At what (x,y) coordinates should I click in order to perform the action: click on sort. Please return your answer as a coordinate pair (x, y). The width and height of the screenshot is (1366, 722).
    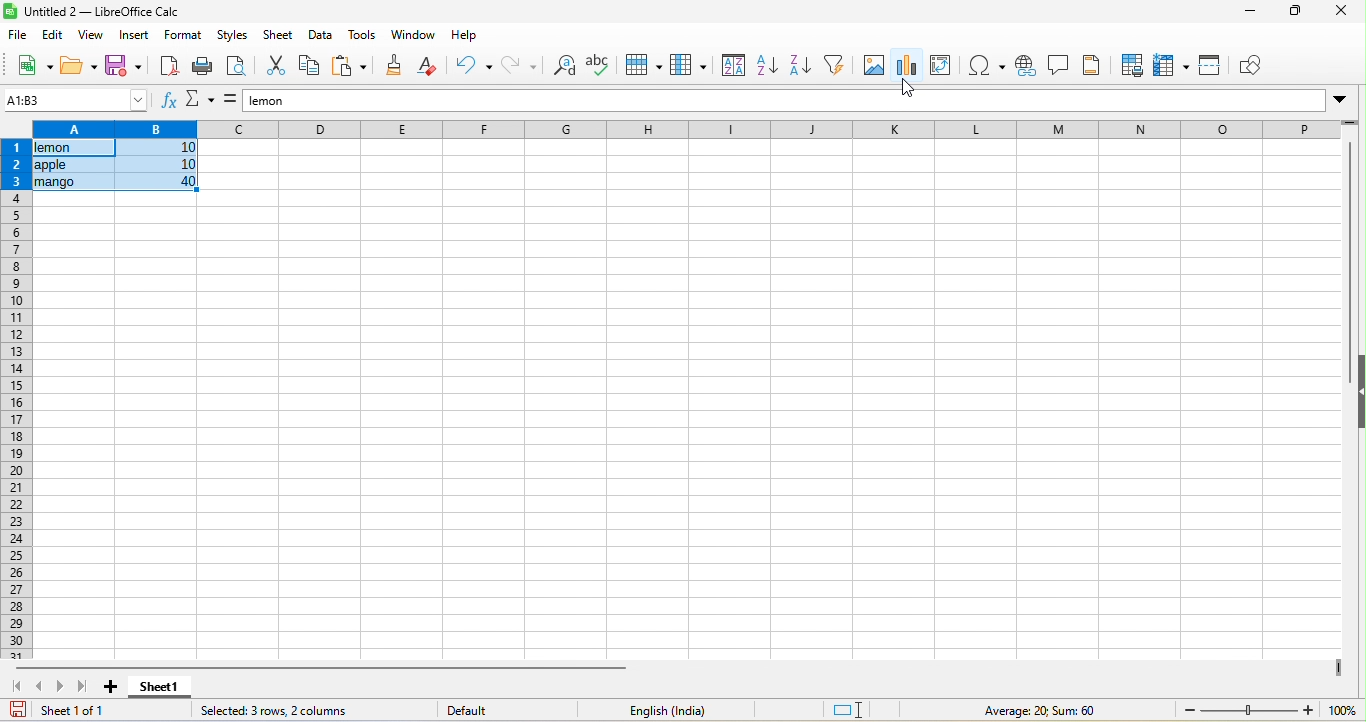
    Looking at the image, I should click on (731, 67).